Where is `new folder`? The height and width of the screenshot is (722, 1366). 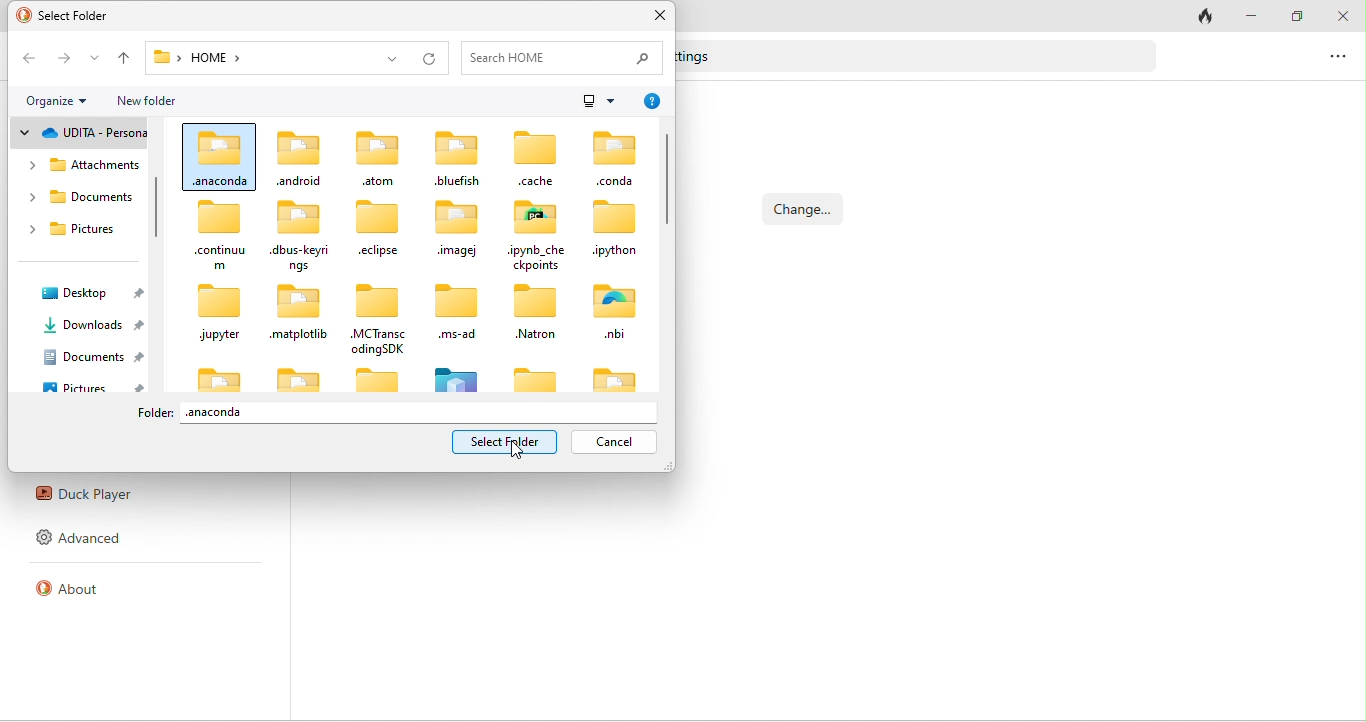 new folder is located at coordinates (147, 100).